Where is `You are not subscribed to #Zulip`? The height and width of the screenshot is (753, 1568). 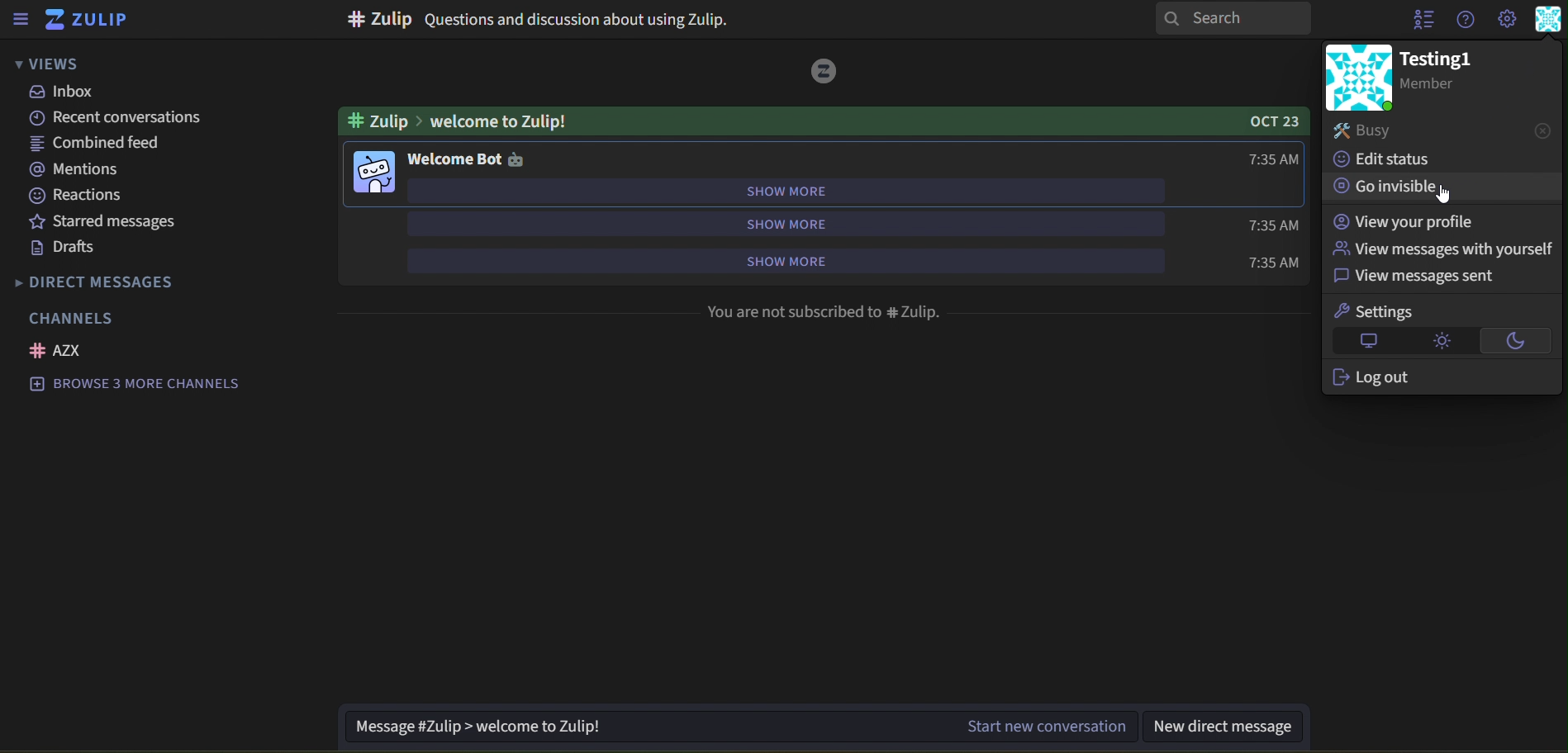 You are not subscribed to #Zulip is located at coordinates (825, 314).